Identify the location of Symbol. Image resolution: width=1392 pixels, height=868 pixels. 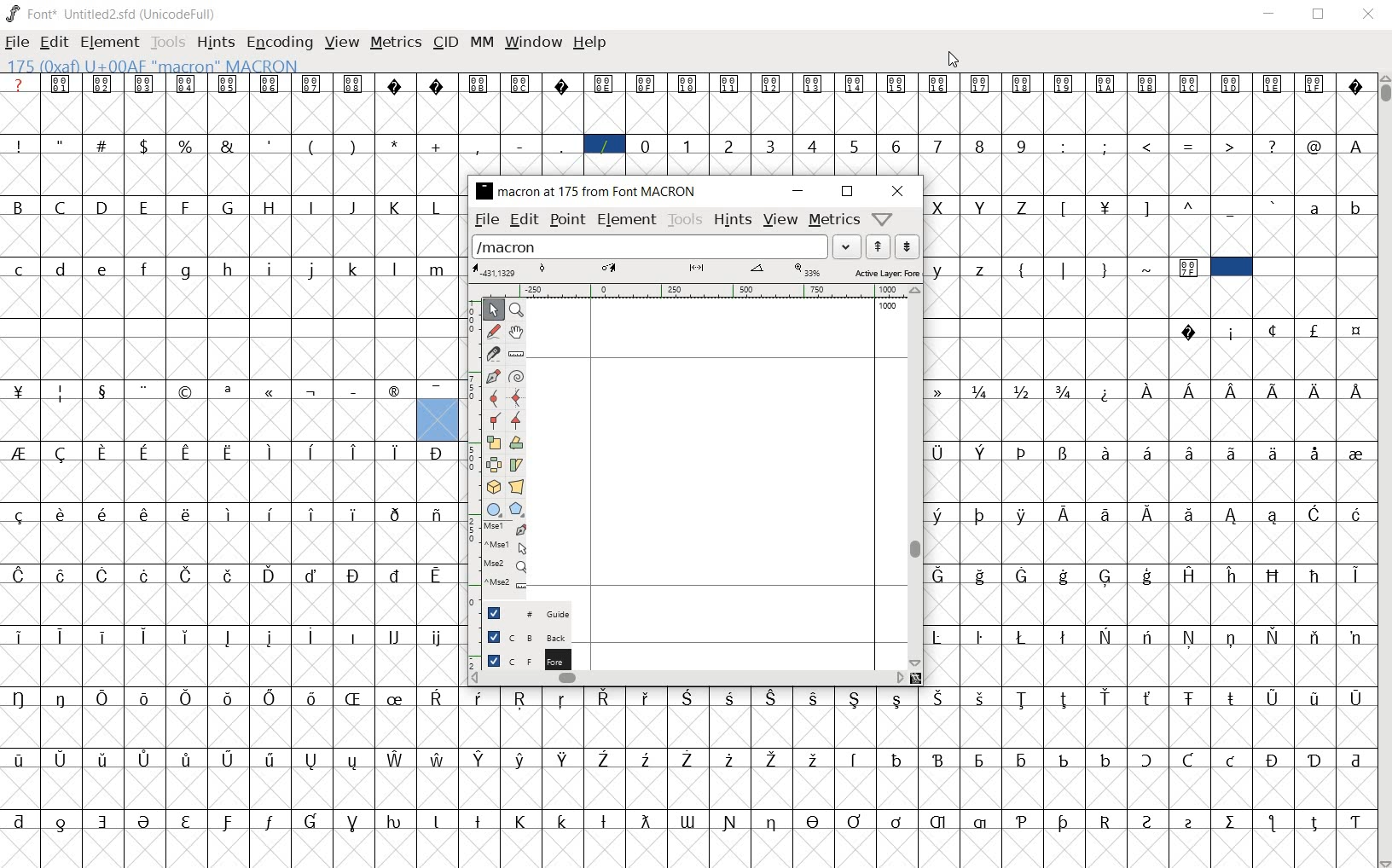
(1314, 454).